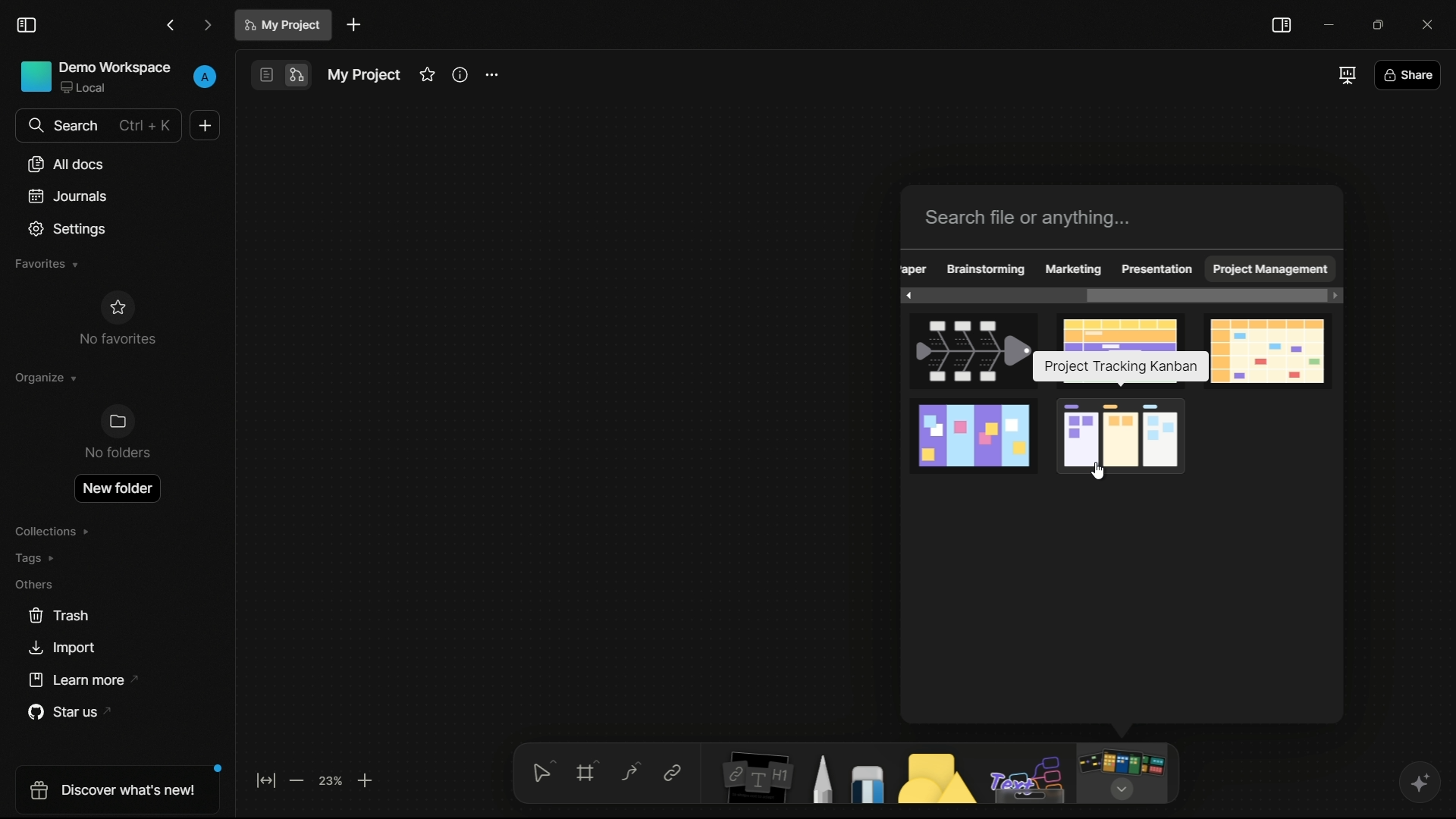 The height and width of the screenshot is (819, 1456). Describe the element at coordinates (1271, 270) in the screenshot. I see `project management` at that location.